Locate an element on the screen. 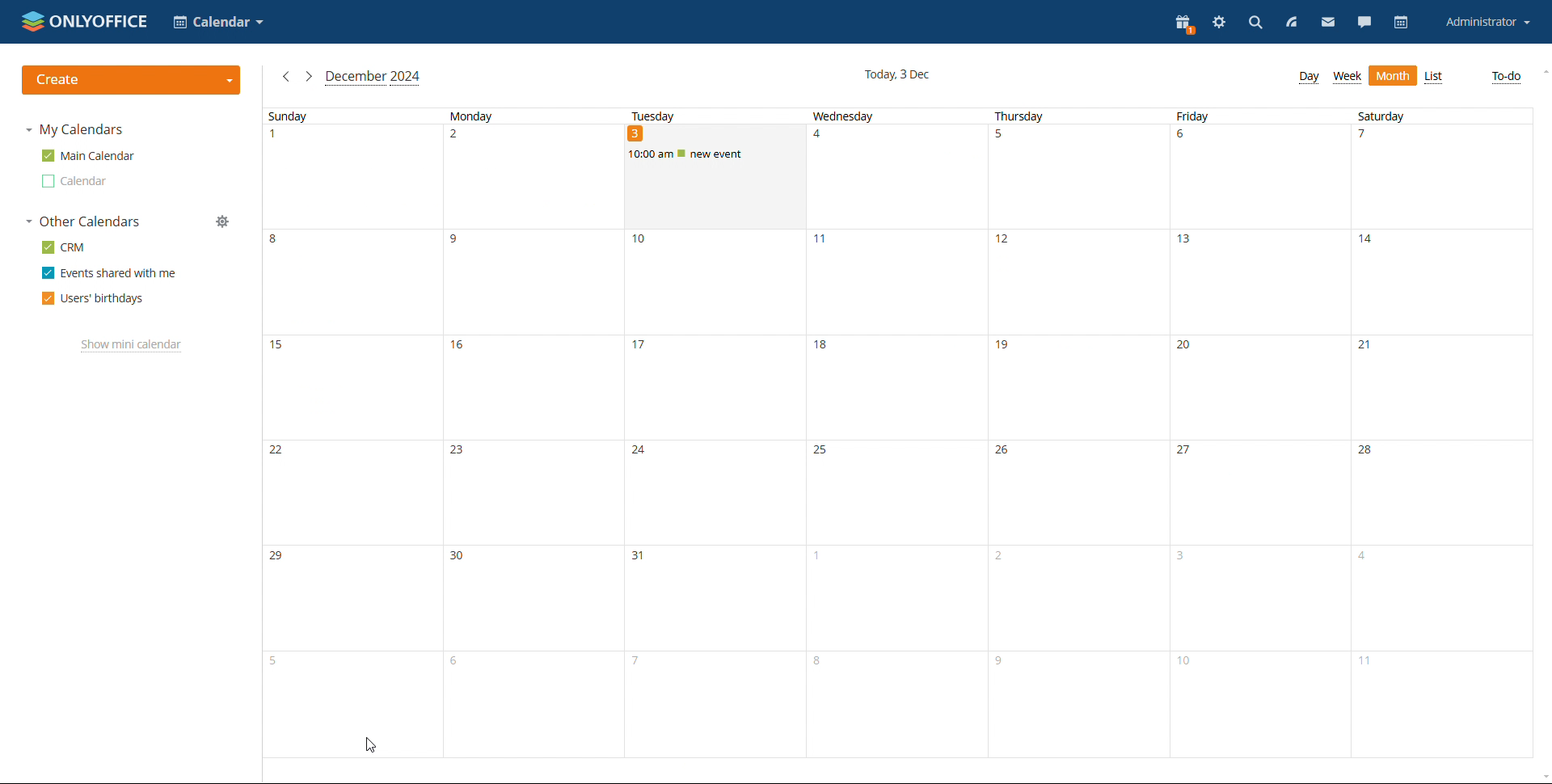  next month is located at coordinates (309, 77).